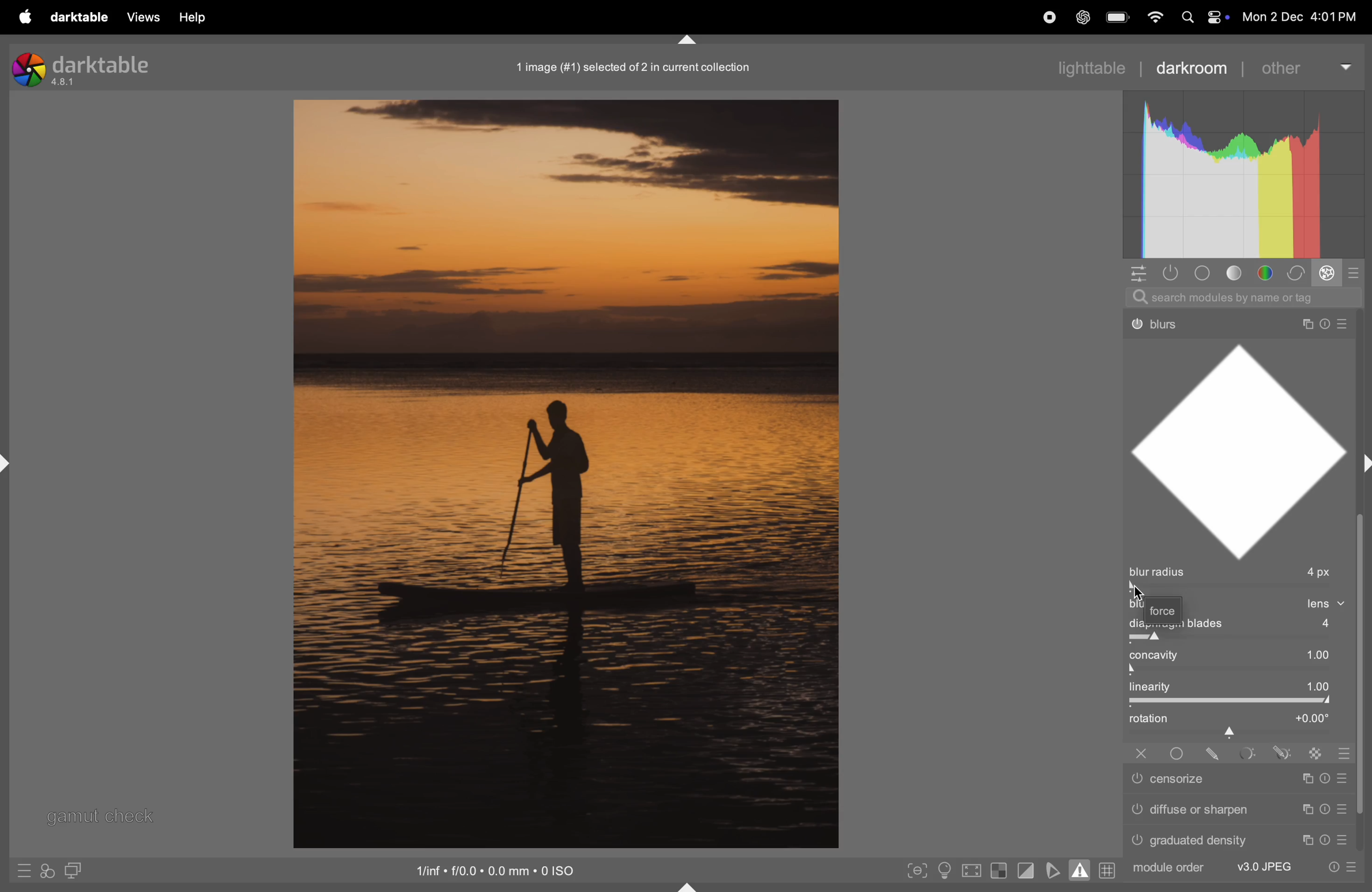 This screenshot has width=1372, height=892. I want to click on , so click(1317, 753).